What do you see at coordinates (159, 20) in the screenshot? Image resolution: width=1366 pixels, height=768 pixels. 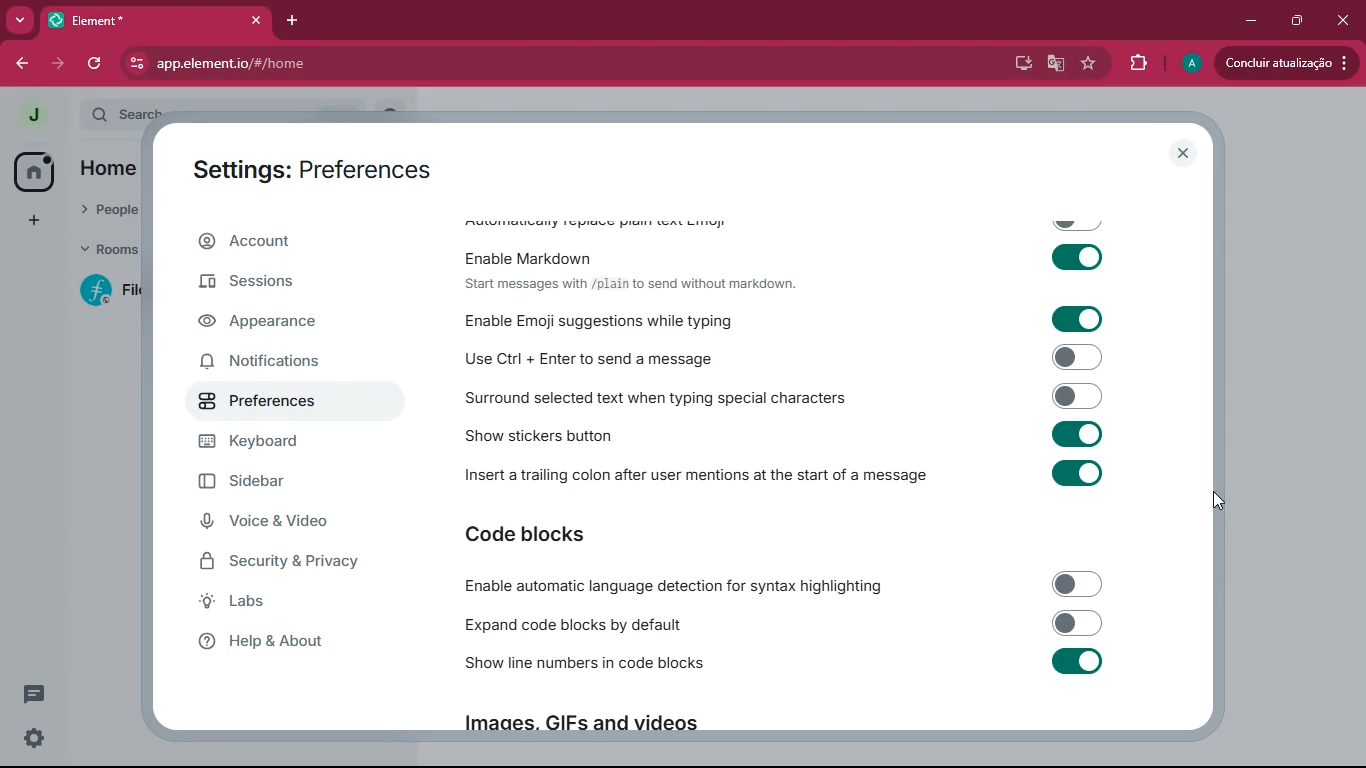 I see `element` at bounding box center [159, 20].